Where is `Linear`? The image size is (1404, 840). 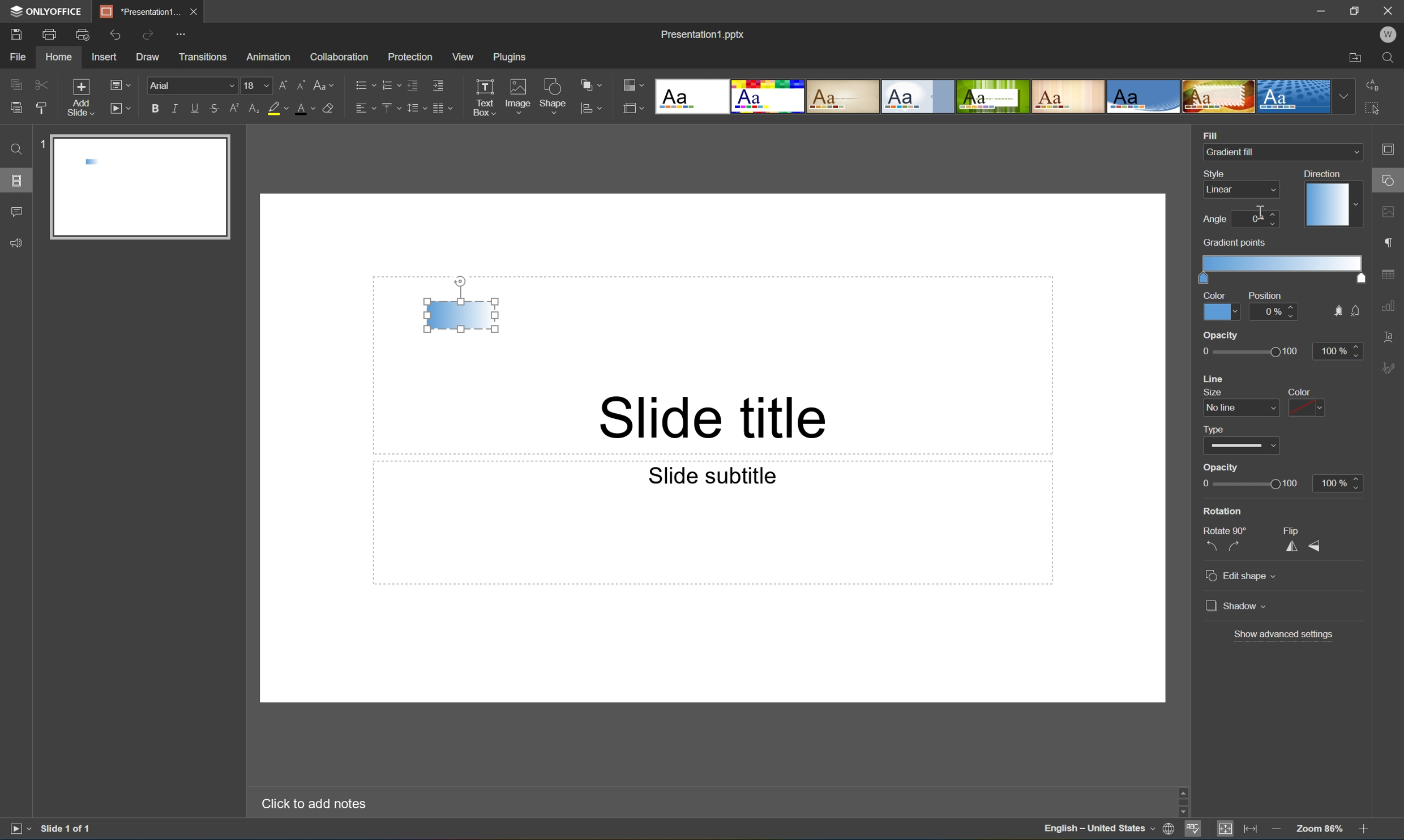 Linear is located at coordinates (1222, 189).